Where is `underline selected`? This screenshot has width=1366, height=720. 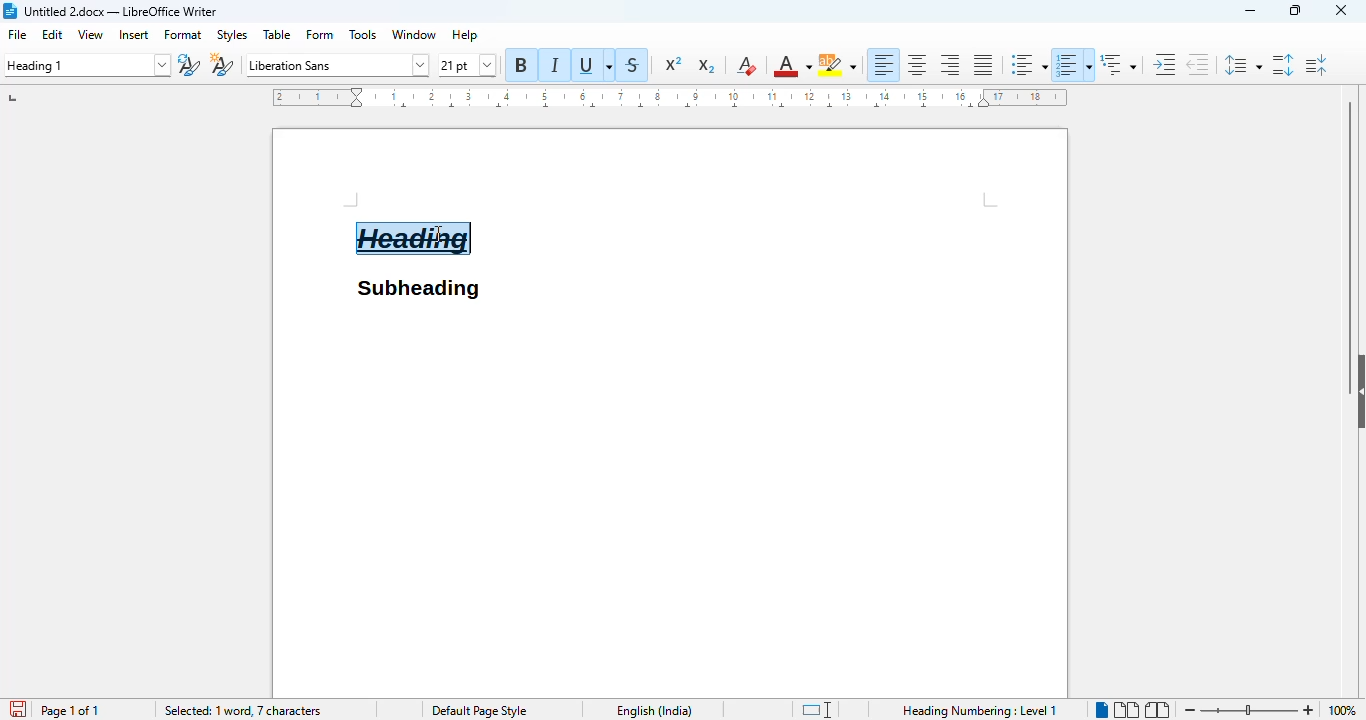 underline selected is located at coordinates (593, 64).